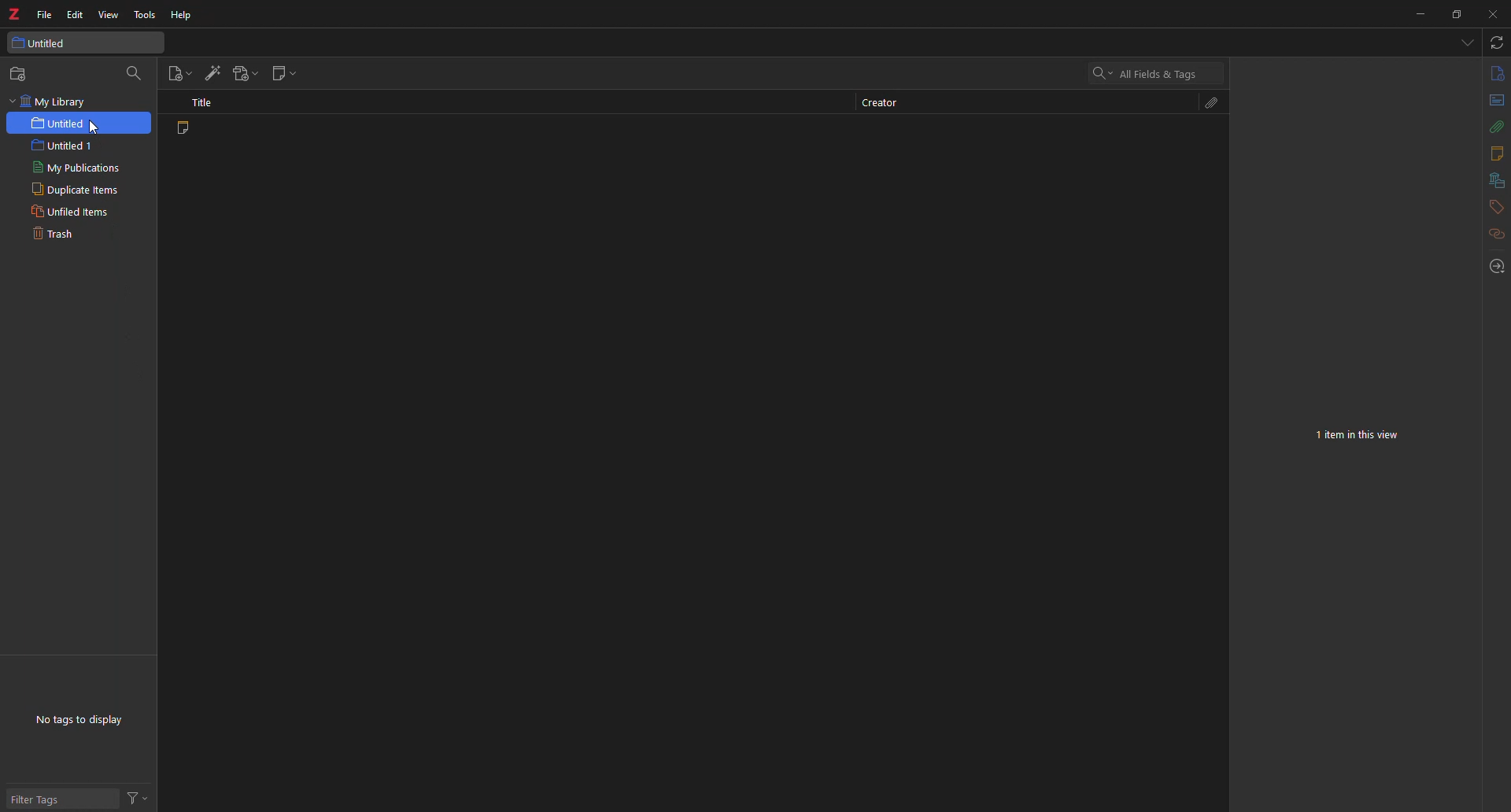  I want to click on note, so click(184, 131).